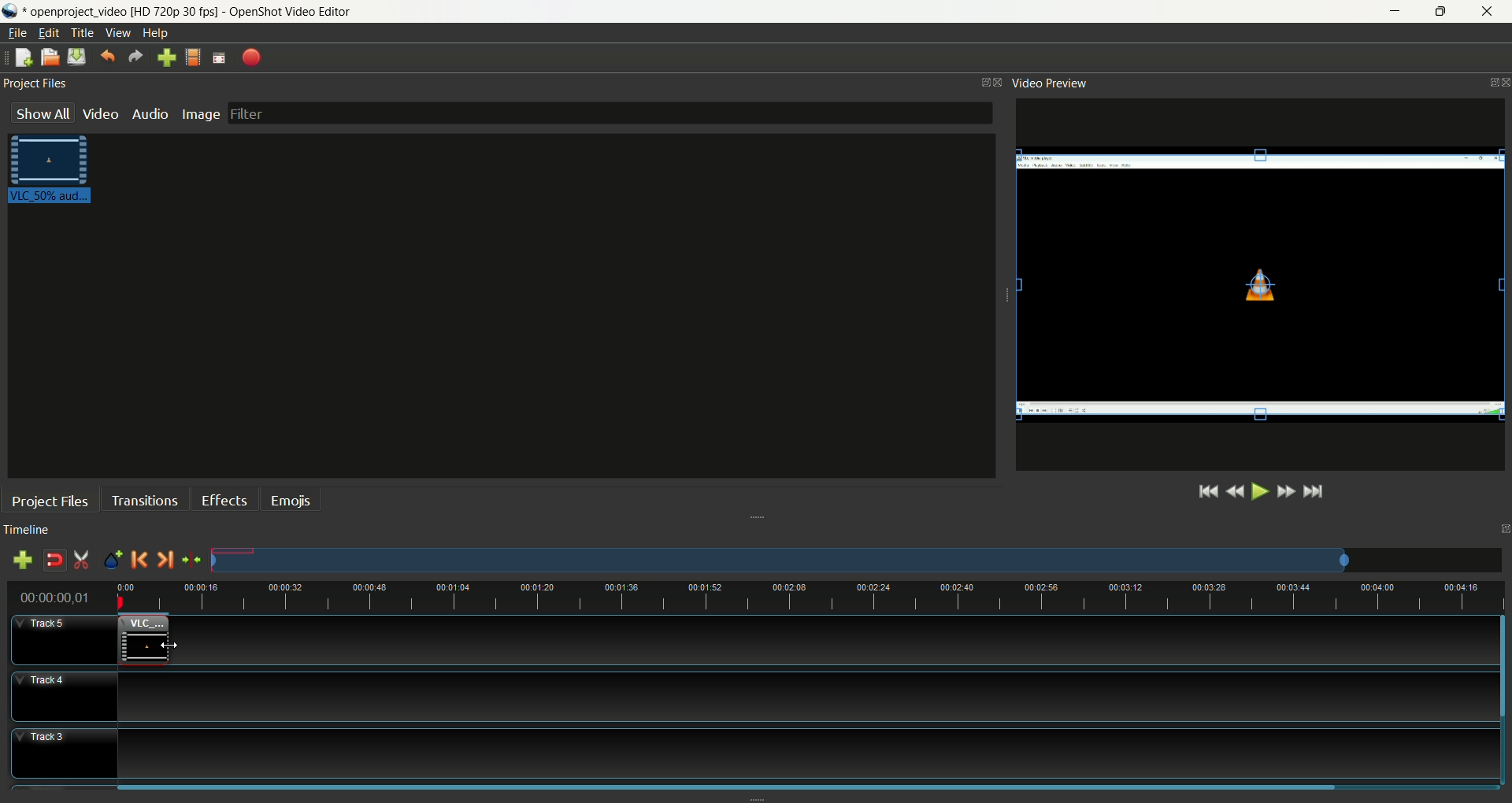 This screenshot has height=803, width=1512. I want to click on fast forward, so click(1287, 491).